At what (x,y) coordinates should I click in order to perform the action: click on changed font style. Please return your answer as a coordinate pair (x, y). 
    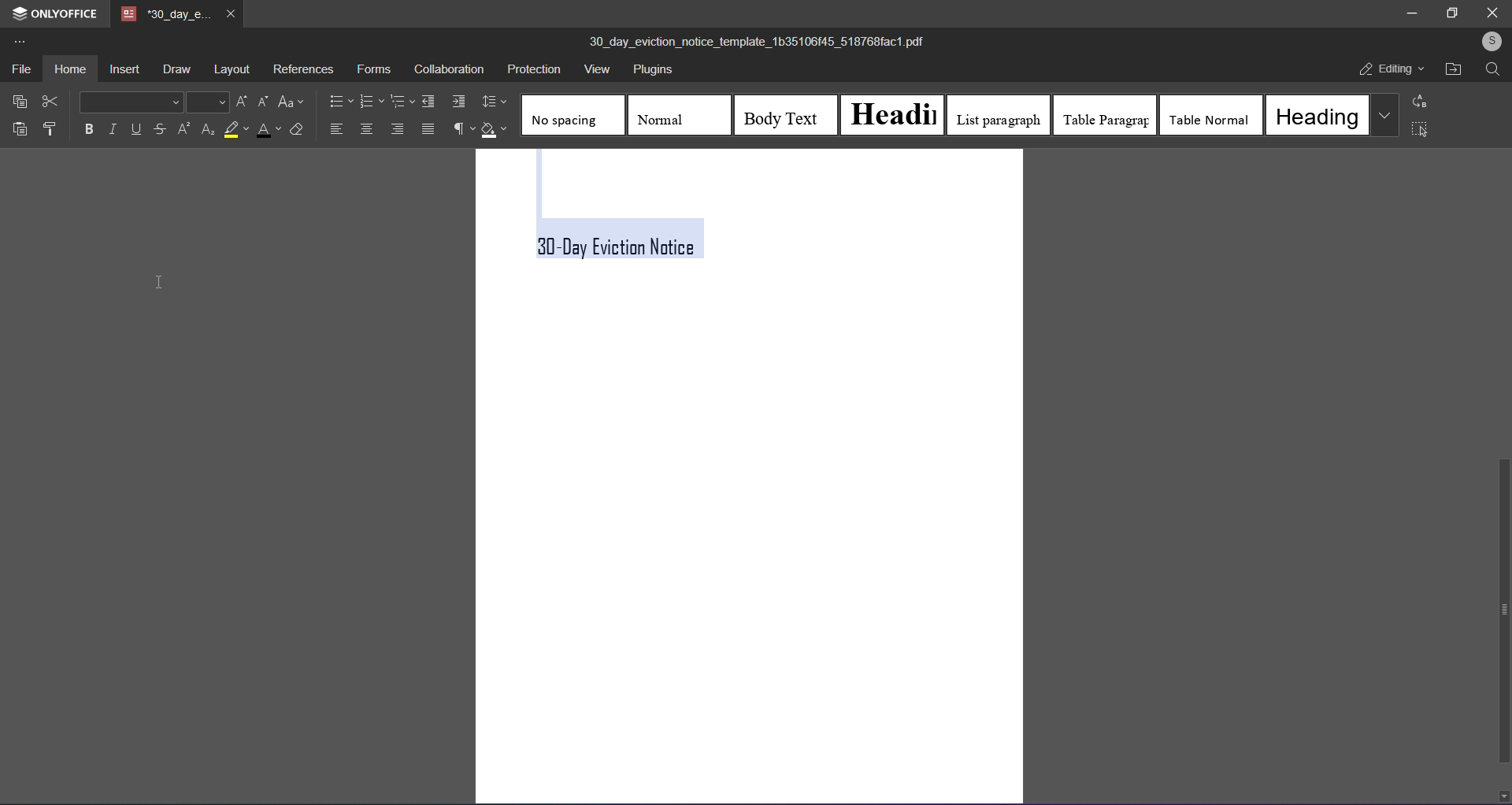
    Looking at the image, I should click on (634, 241).